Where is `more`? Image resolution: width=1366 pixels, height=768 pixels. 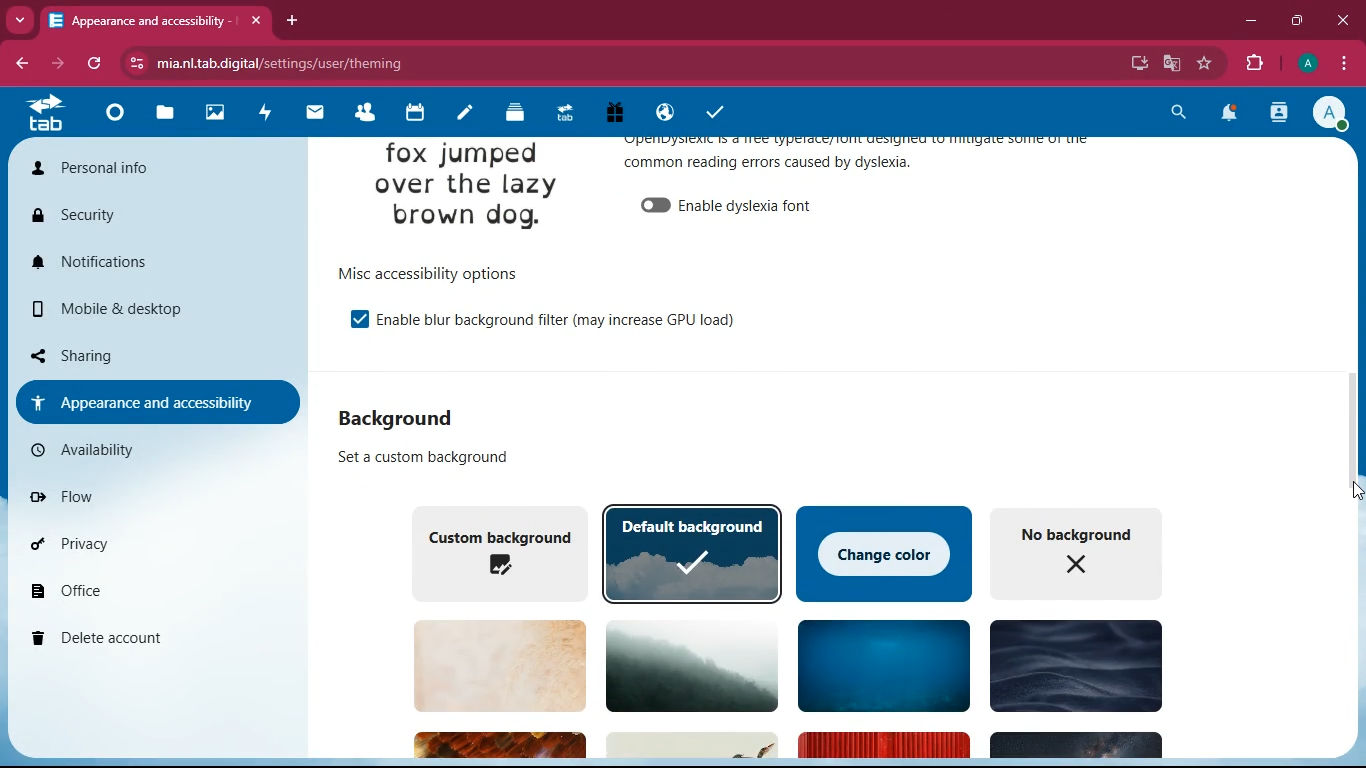
more is located at coordinates (20, 20).